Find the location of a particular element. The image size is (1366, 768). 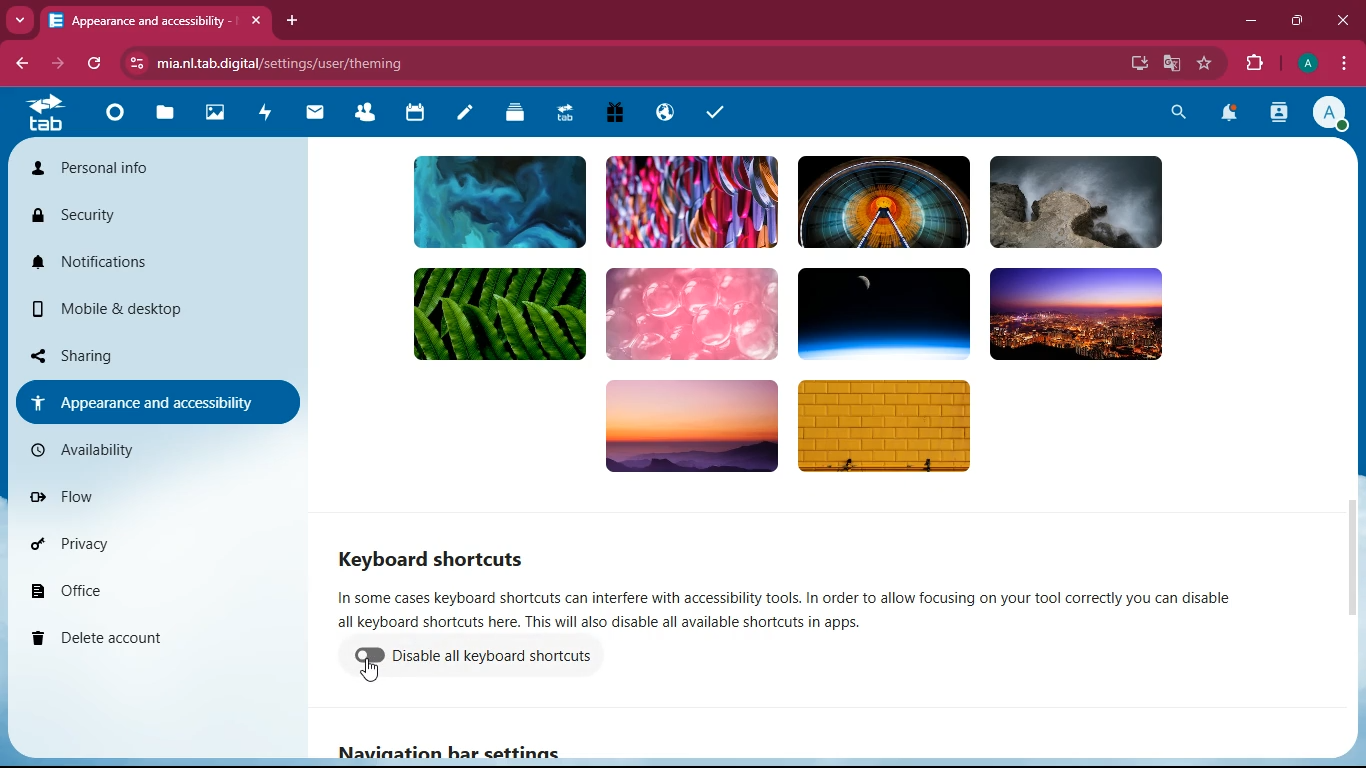

images is located at coordinates (215, 113).